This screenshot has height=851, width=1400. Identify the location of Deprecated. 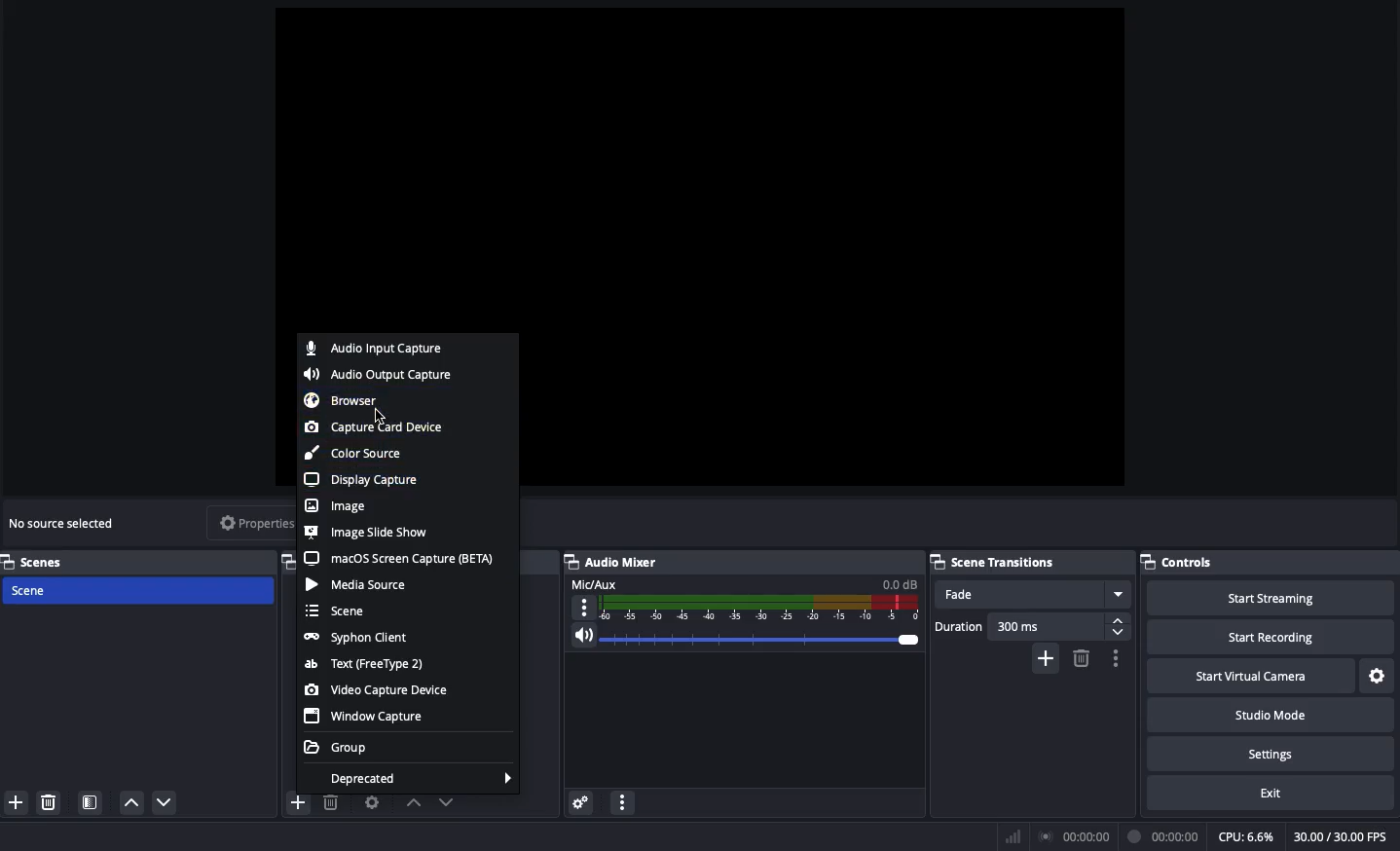
(407, 779).